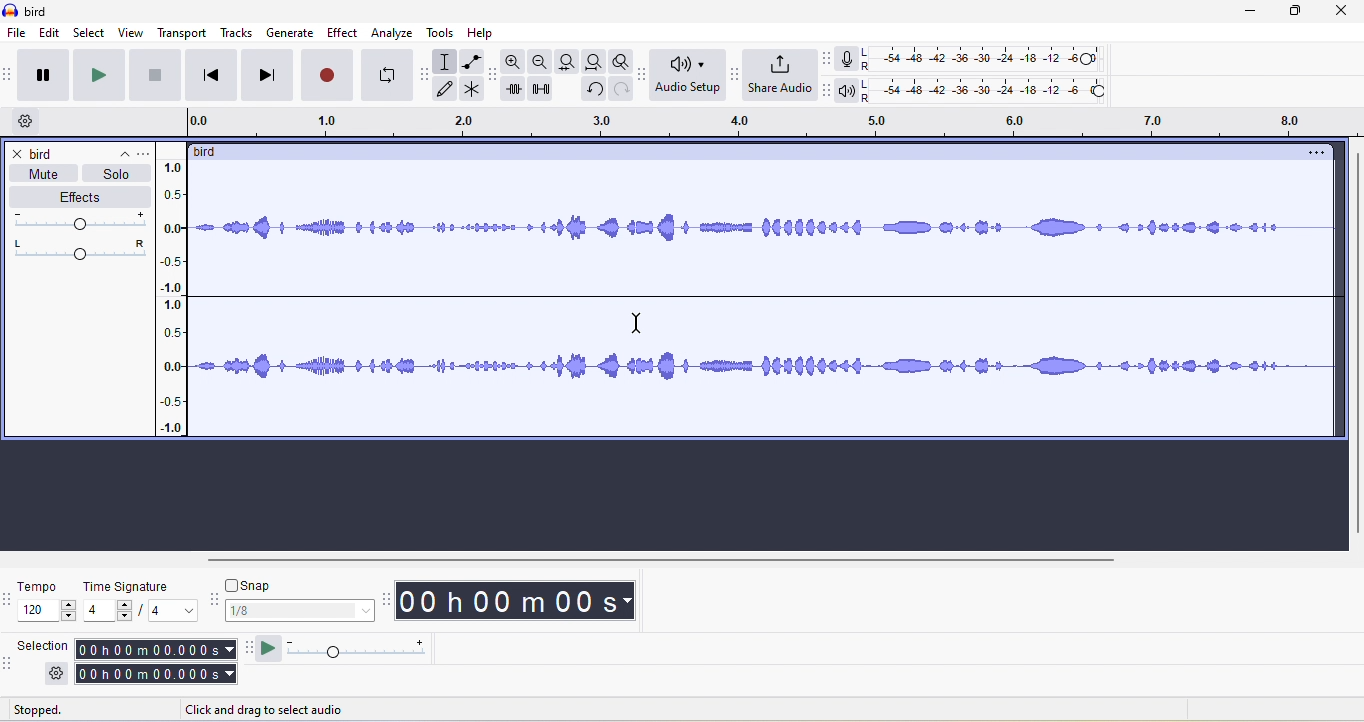 The height and width of the screenshot is (722, 1364). Describe the element at coordinates (266, 710) in the screenshot. I see `click and drag to select audio` at that location.